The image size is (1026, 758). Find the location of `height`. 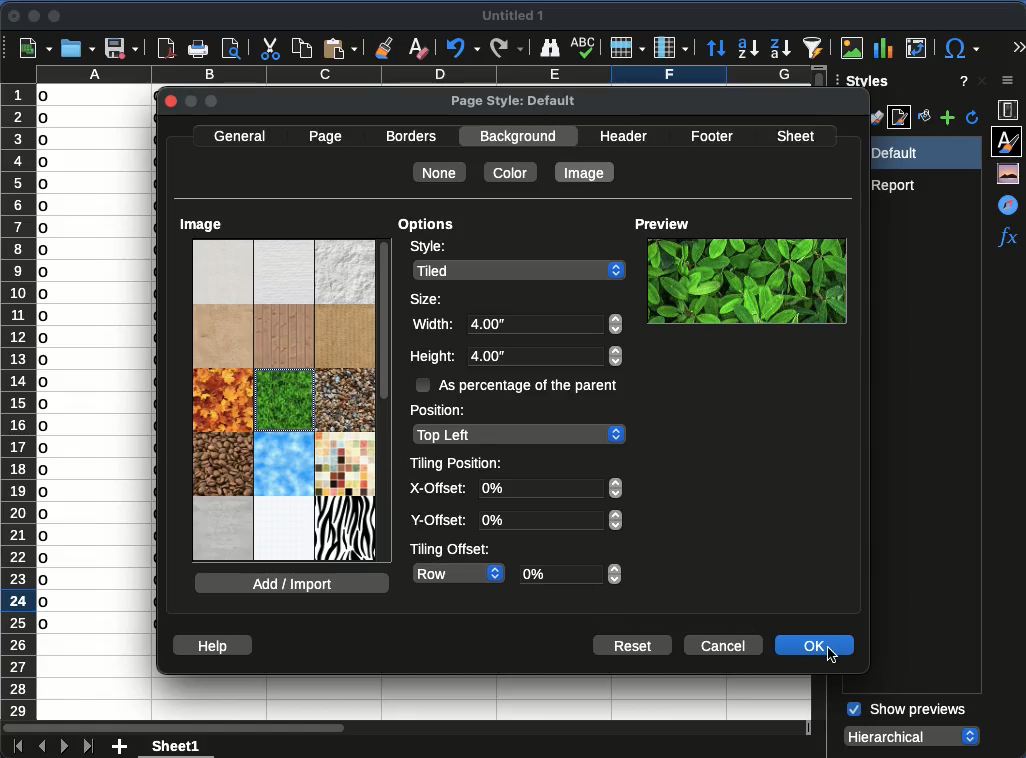

height is located at coordinates (433, 359).